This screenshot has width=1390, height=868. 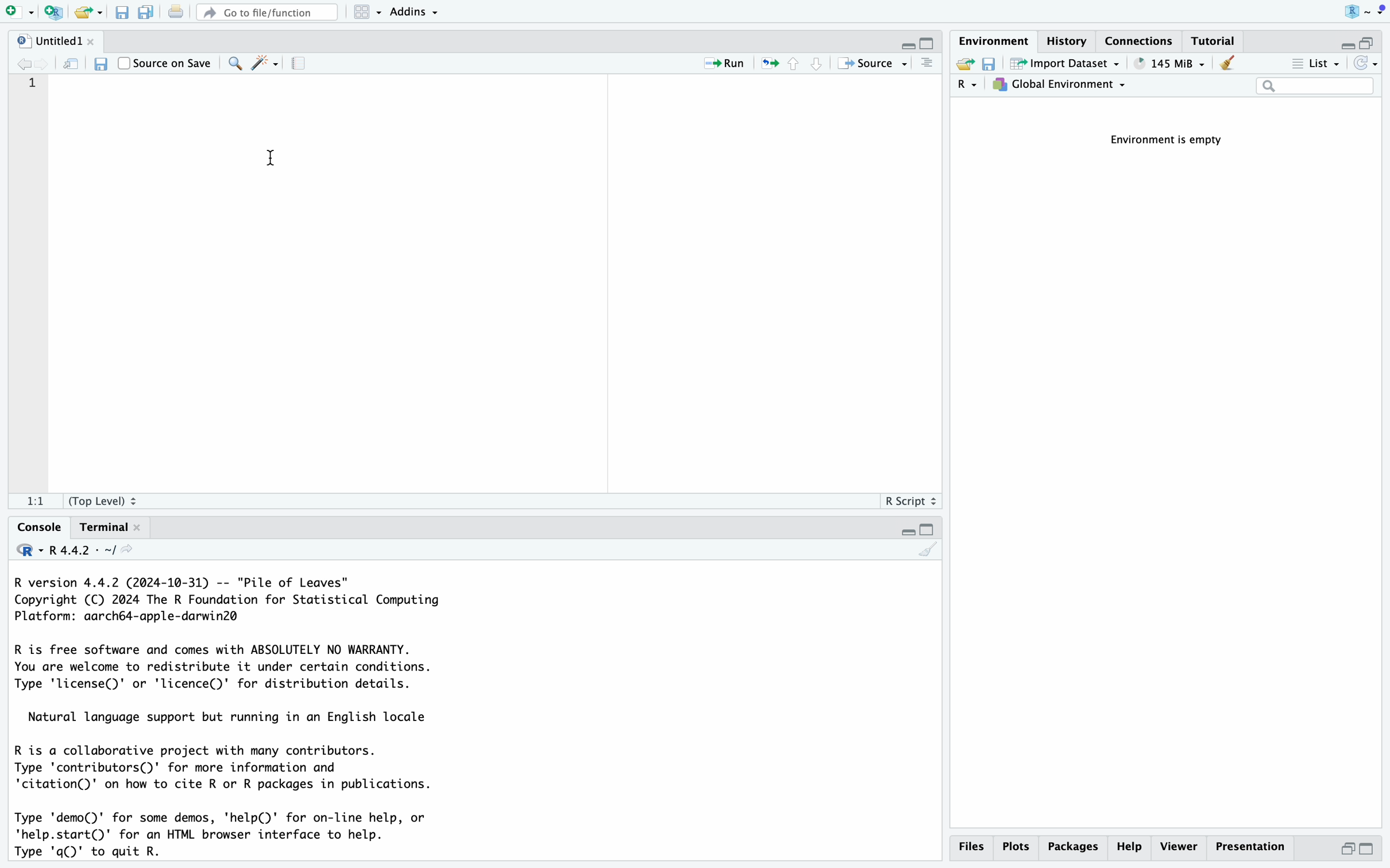 What do you see at coordinates (105, 501) in the screenshot?
I see `(Top Level)` at bounding box center [105, 501].